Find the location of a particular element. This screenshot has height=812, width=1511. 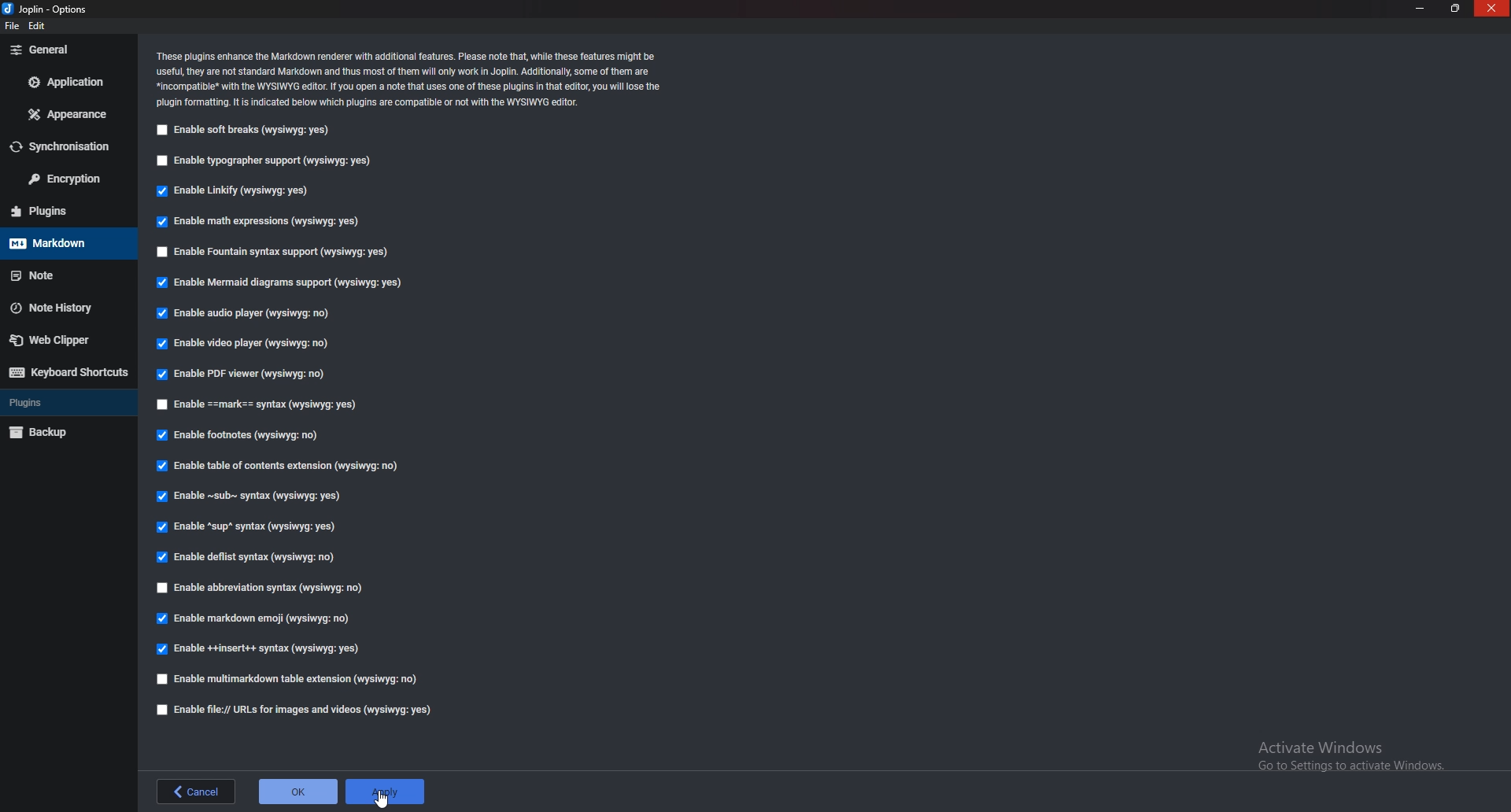

Enable linkify is located at coordinates (240, 190).